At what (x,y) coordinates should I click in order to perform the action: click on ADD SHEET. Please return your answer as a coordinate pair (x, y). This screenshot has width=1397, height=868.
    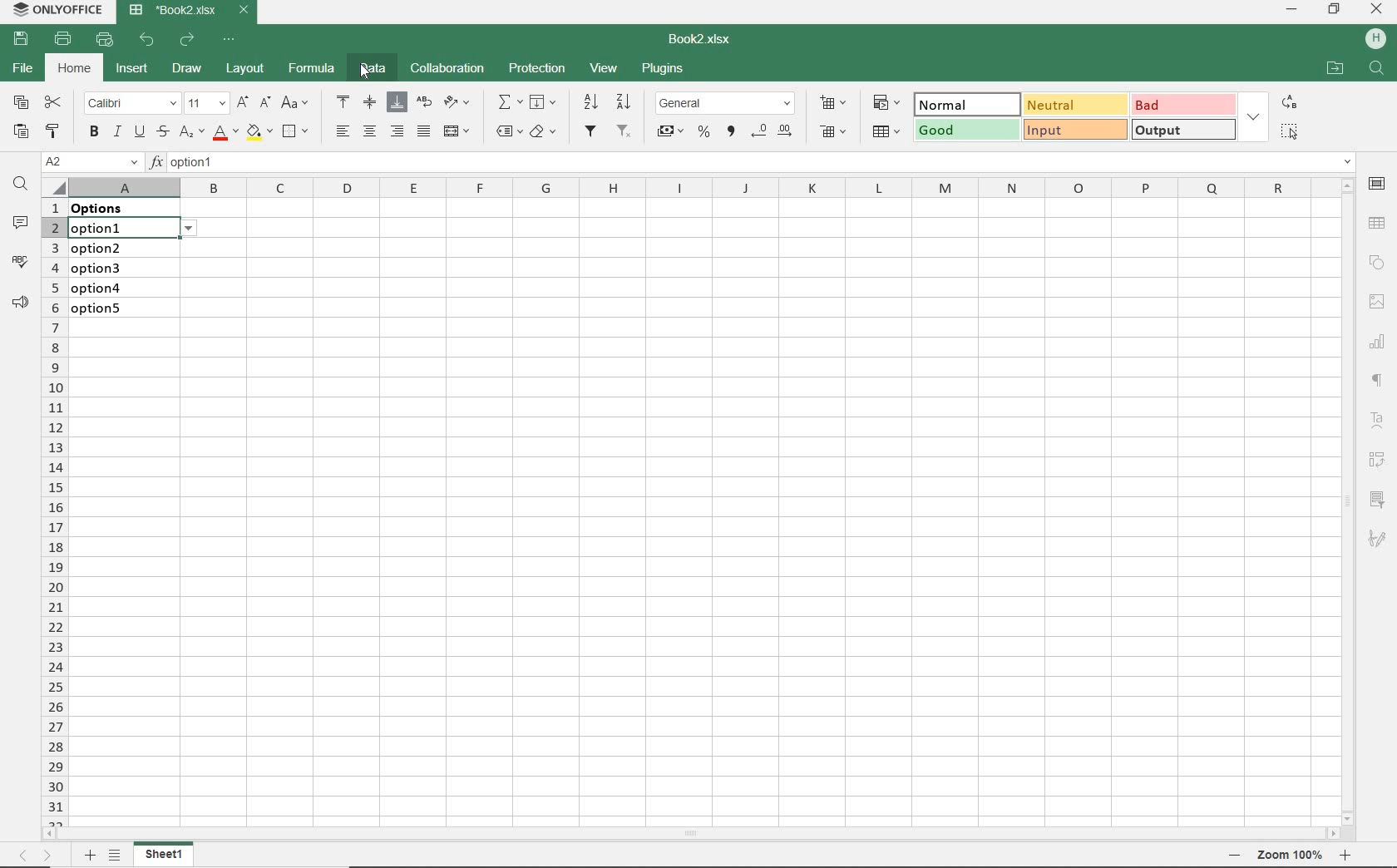
    Looking at the image, I should click on (90, 856).